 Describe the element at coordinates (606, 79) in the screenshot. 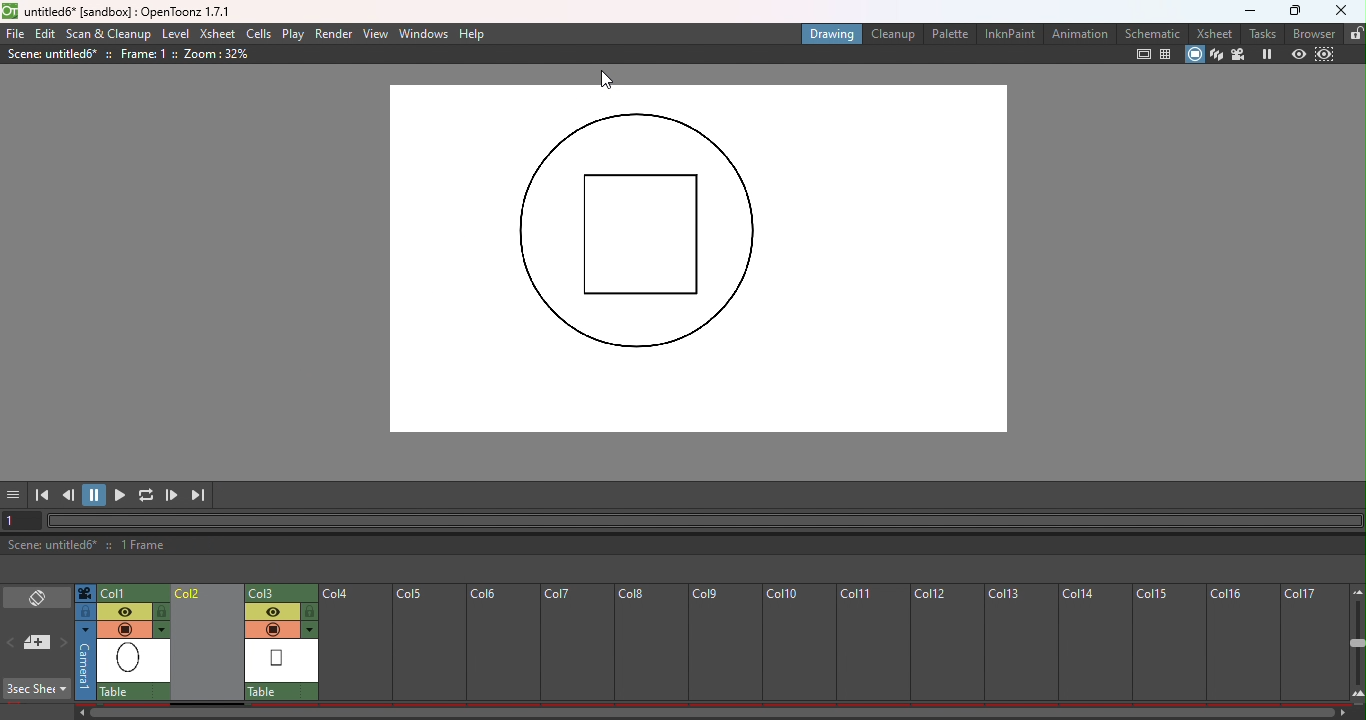

I see `Cursor` at that location.